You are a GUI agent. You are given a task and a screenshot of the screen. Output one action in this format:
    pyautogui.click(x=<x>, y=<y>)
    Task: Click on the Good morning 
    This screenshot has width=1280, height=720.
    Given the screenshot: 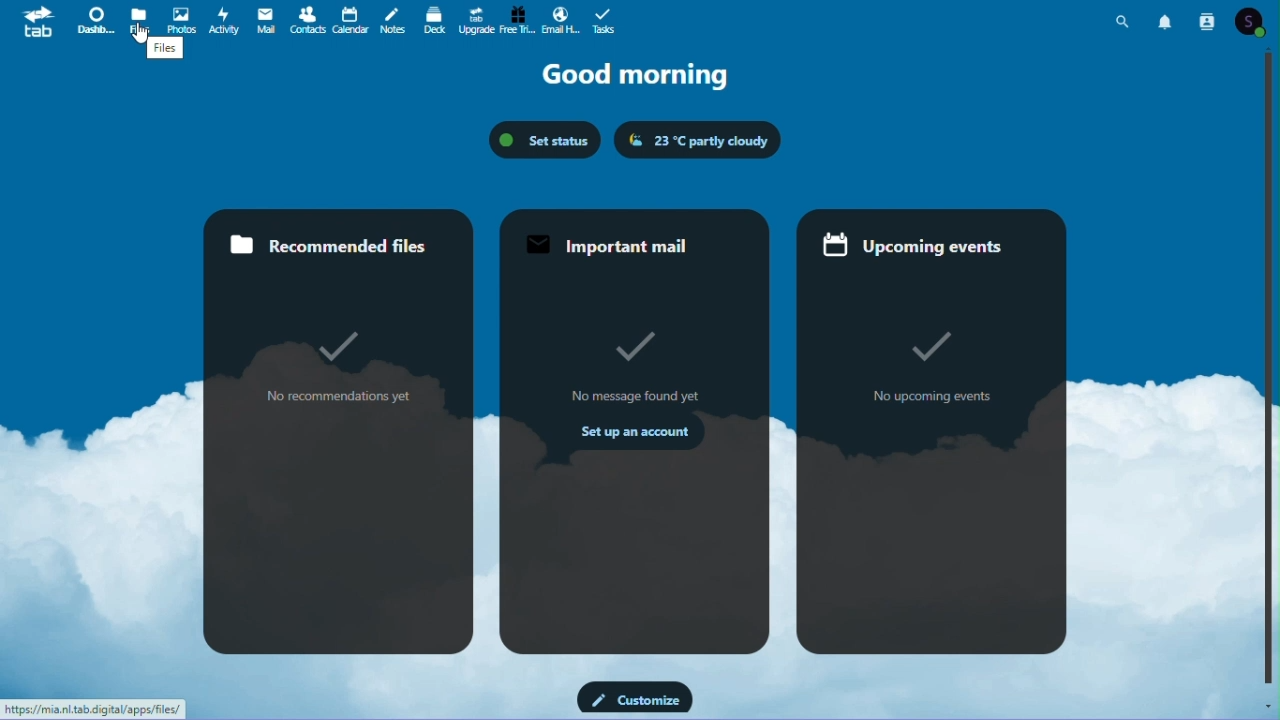 What is the action you would take?
    pyautogui.click(x=646, y=75)
    